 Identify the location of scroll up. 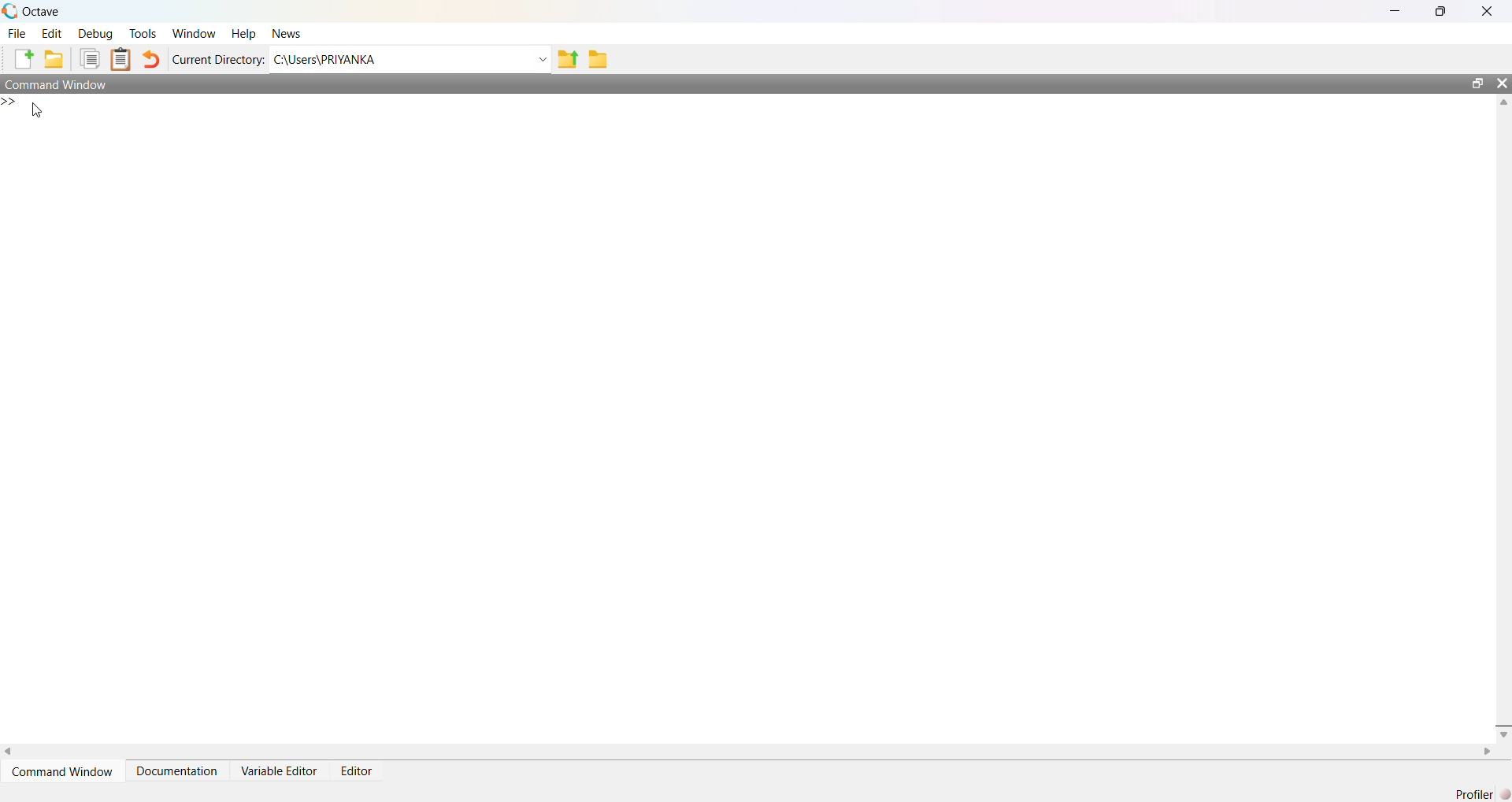
(1502, 102).